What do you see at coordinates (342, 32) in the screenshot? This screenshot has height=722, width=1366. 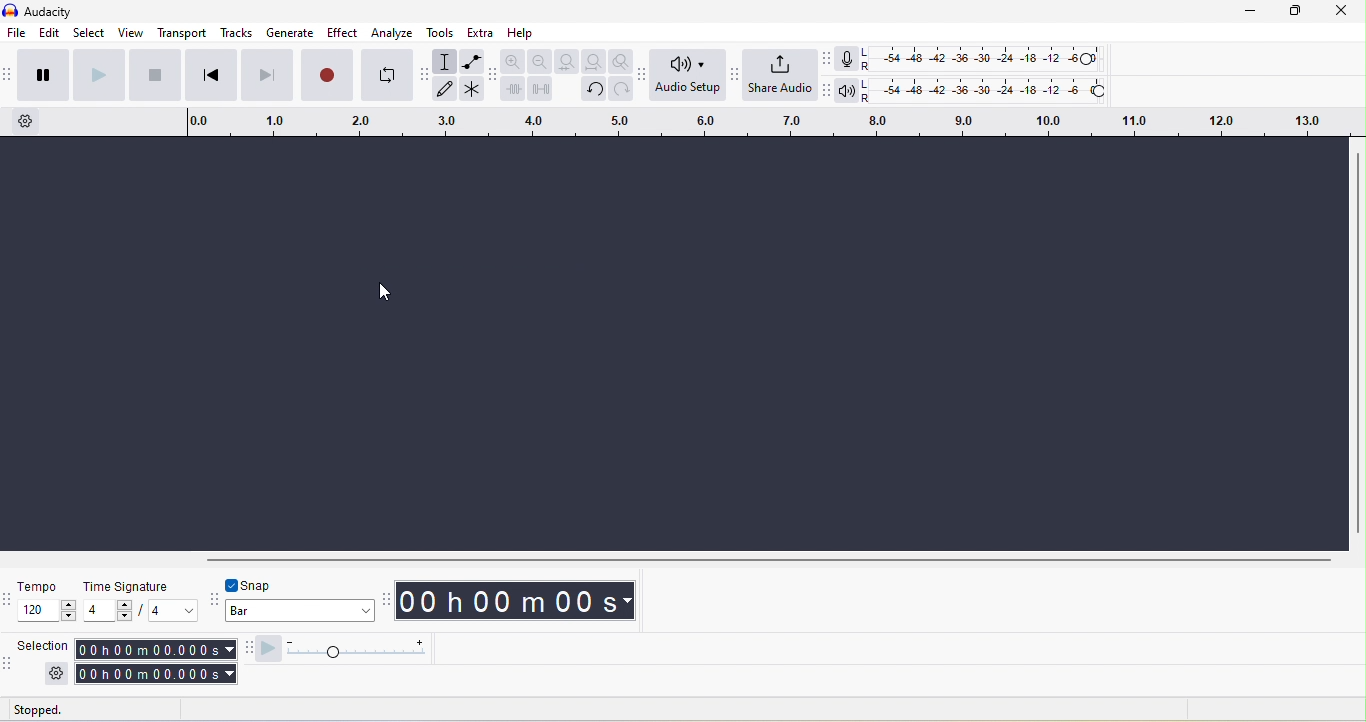 I see `effect` at bounding box center [342, 32].